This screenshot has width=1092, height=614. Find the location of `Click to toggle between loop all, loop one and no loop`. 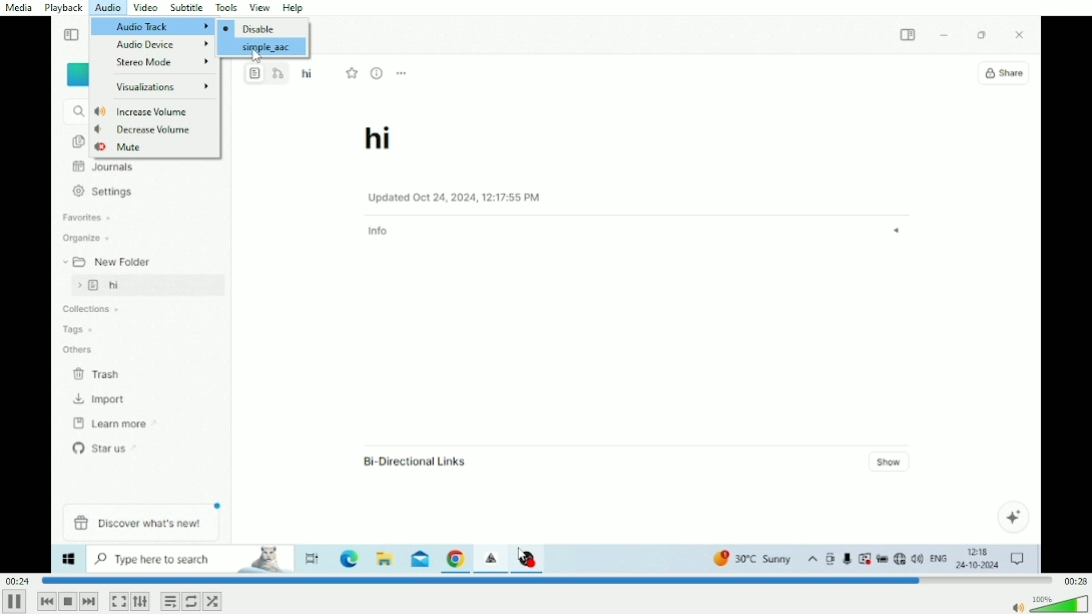

Click to toggle between loop all, loop one and no loop is located at coordinates (191, 601).